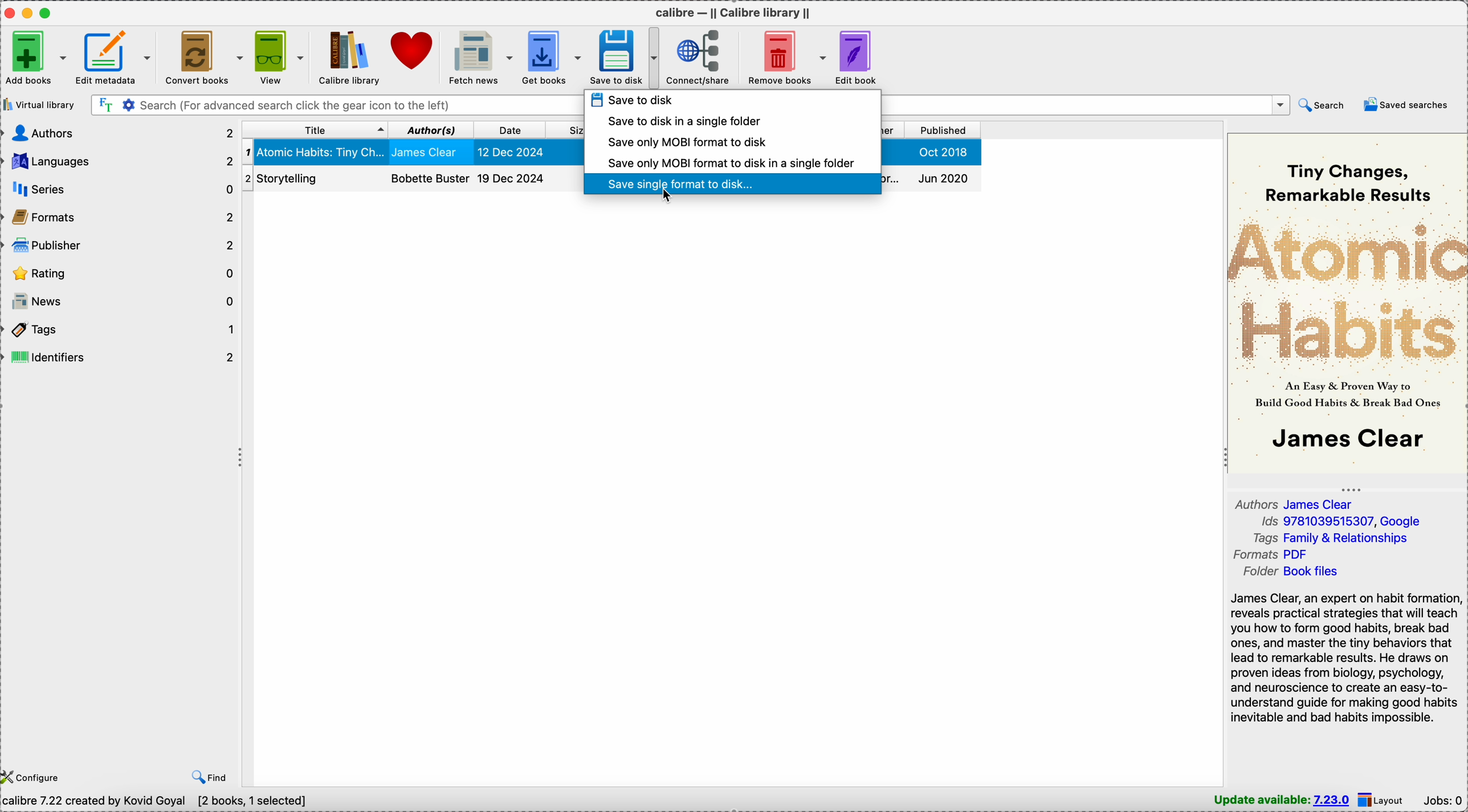 This screenshot has height=812, width=1468. Describe the element at coordinates (1283, 801) in the screenshot. I see `update available: 7.23.0` at that location.